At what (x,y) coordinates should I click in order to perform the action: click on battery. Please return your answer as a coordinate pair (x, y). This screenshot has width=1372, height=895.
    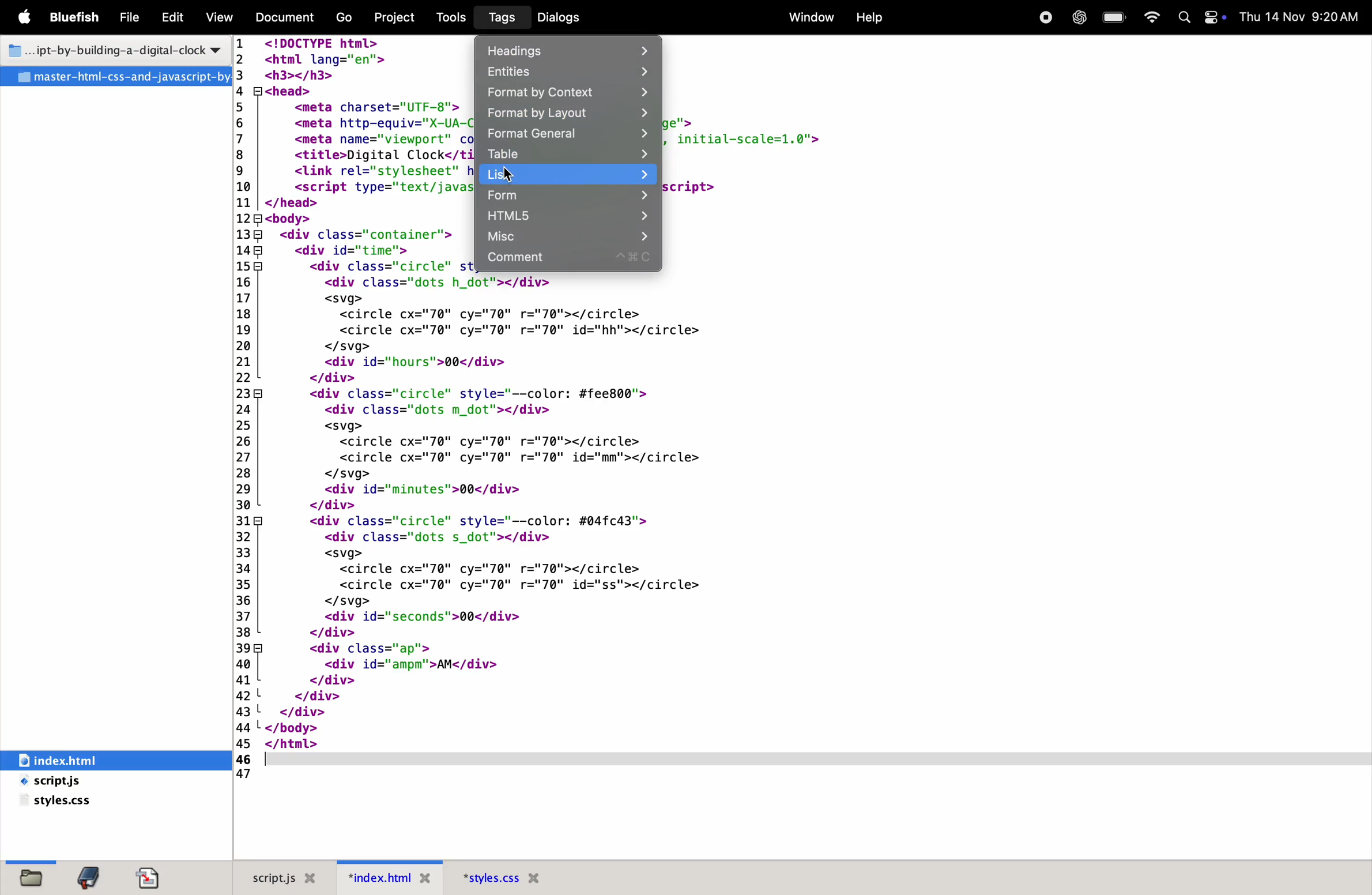
    Looking at the image, I should click on (1113, 18).